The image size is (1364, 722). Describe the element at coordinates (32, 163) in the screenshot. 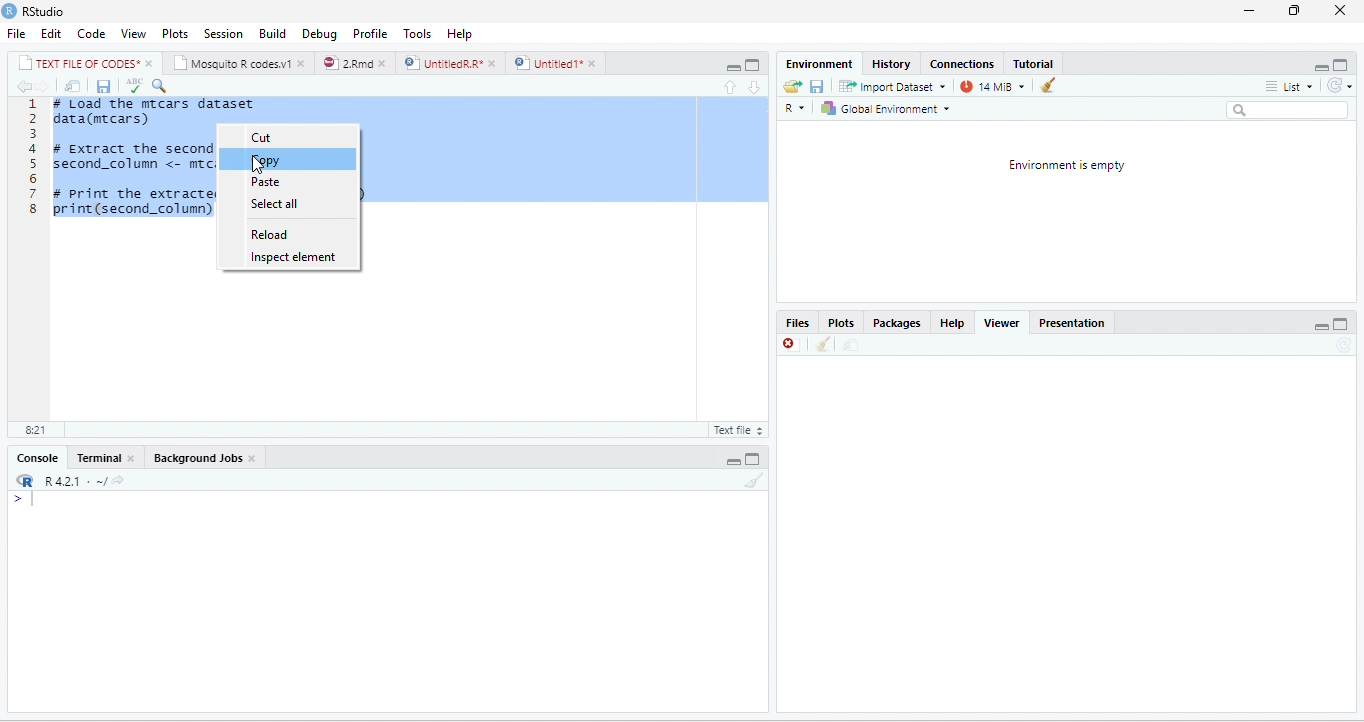

I see `5` at that location.